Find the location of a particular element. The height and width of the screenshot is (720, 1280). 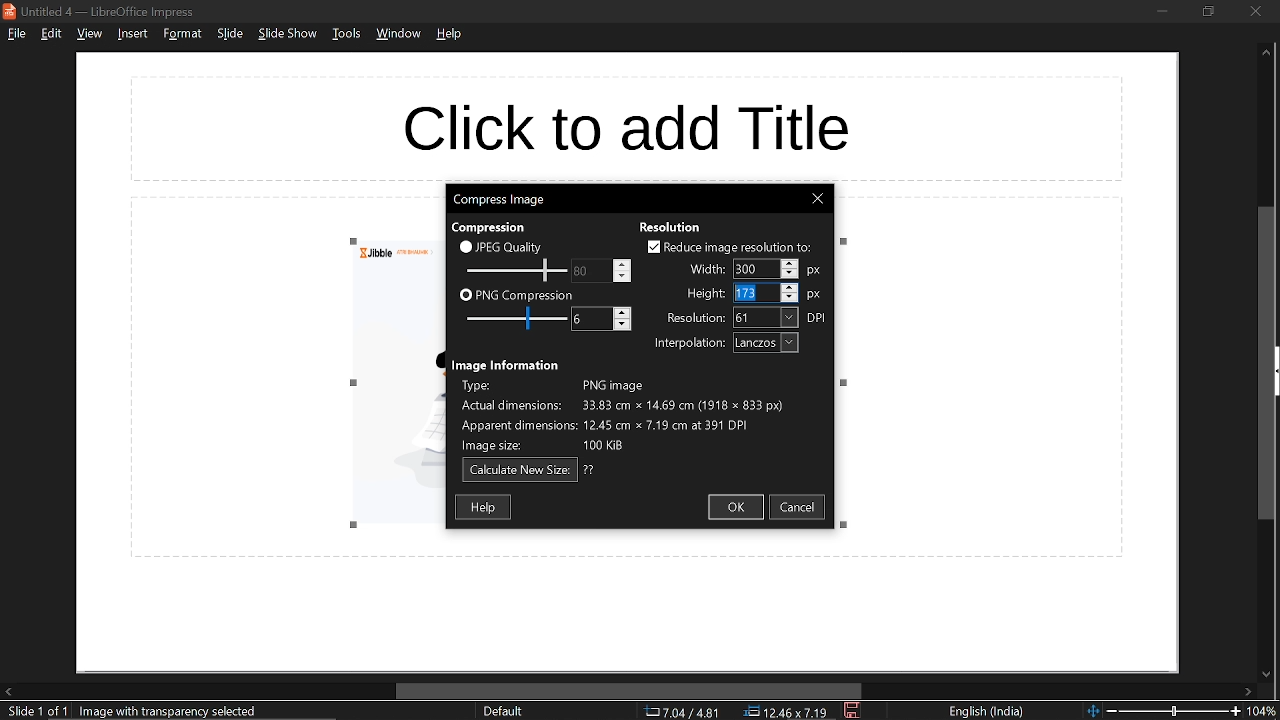

co-ordinate is located at coordinates (682, 712).